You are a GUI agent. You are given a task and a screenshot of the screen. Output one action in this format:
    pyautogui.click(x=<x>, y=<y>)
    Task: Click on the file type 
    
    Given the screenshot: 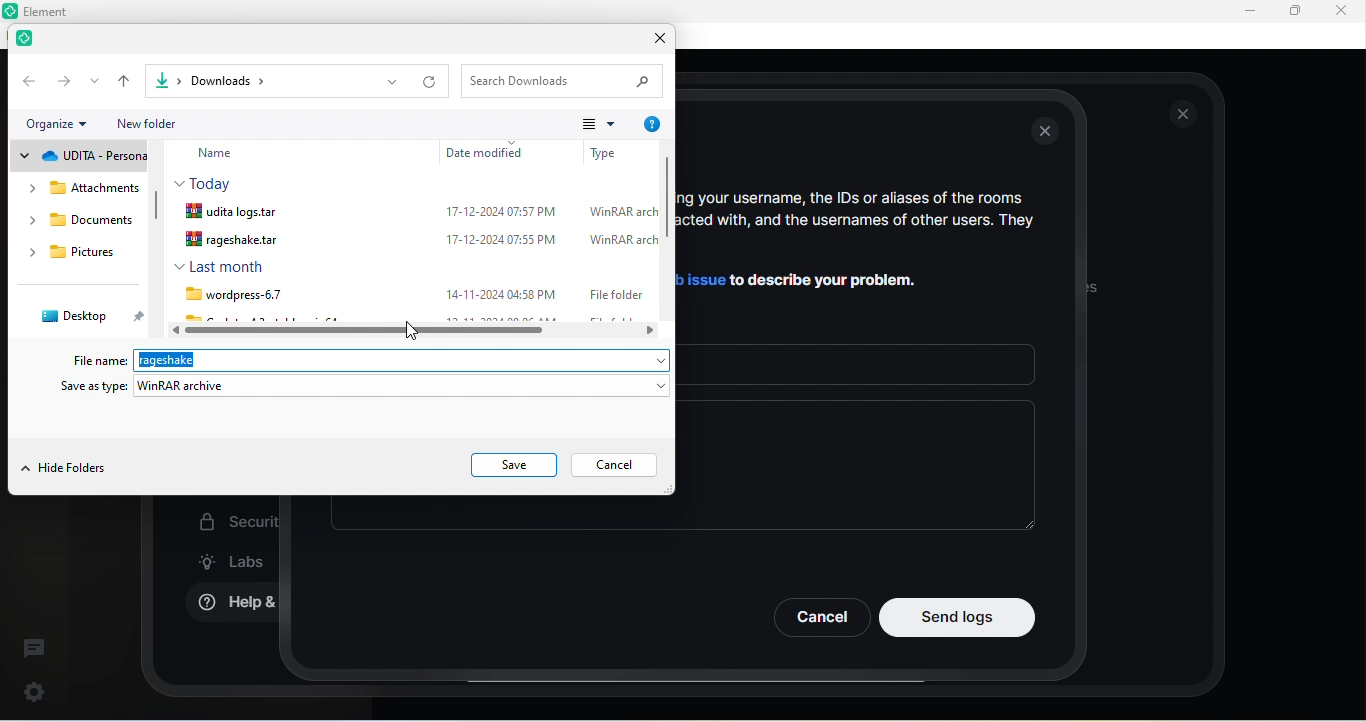 What is the action you would take?
    pyautogui.click(x=605, y=151)
    